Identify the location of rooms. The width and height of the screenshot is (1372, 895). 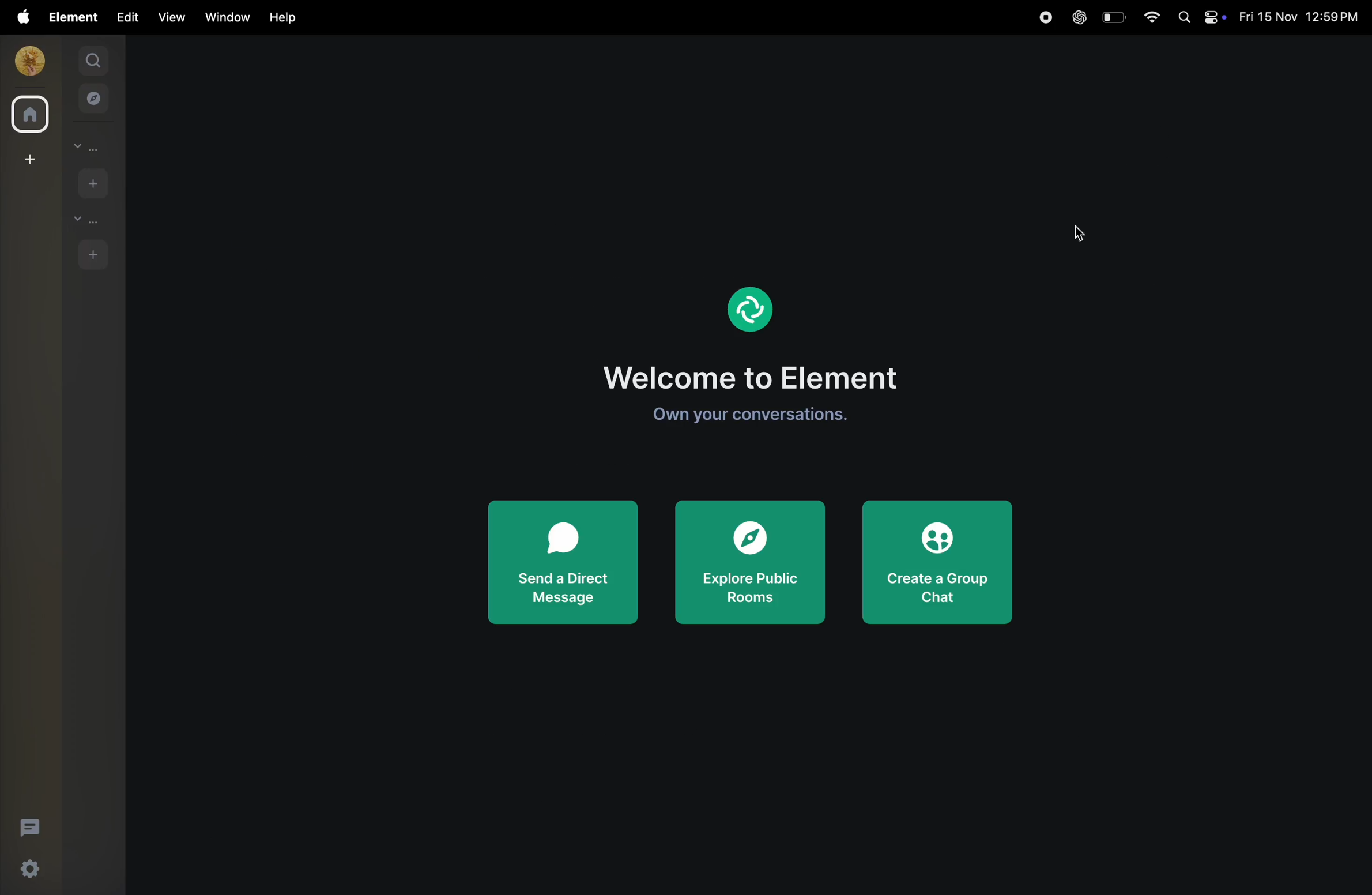
(84, 220).